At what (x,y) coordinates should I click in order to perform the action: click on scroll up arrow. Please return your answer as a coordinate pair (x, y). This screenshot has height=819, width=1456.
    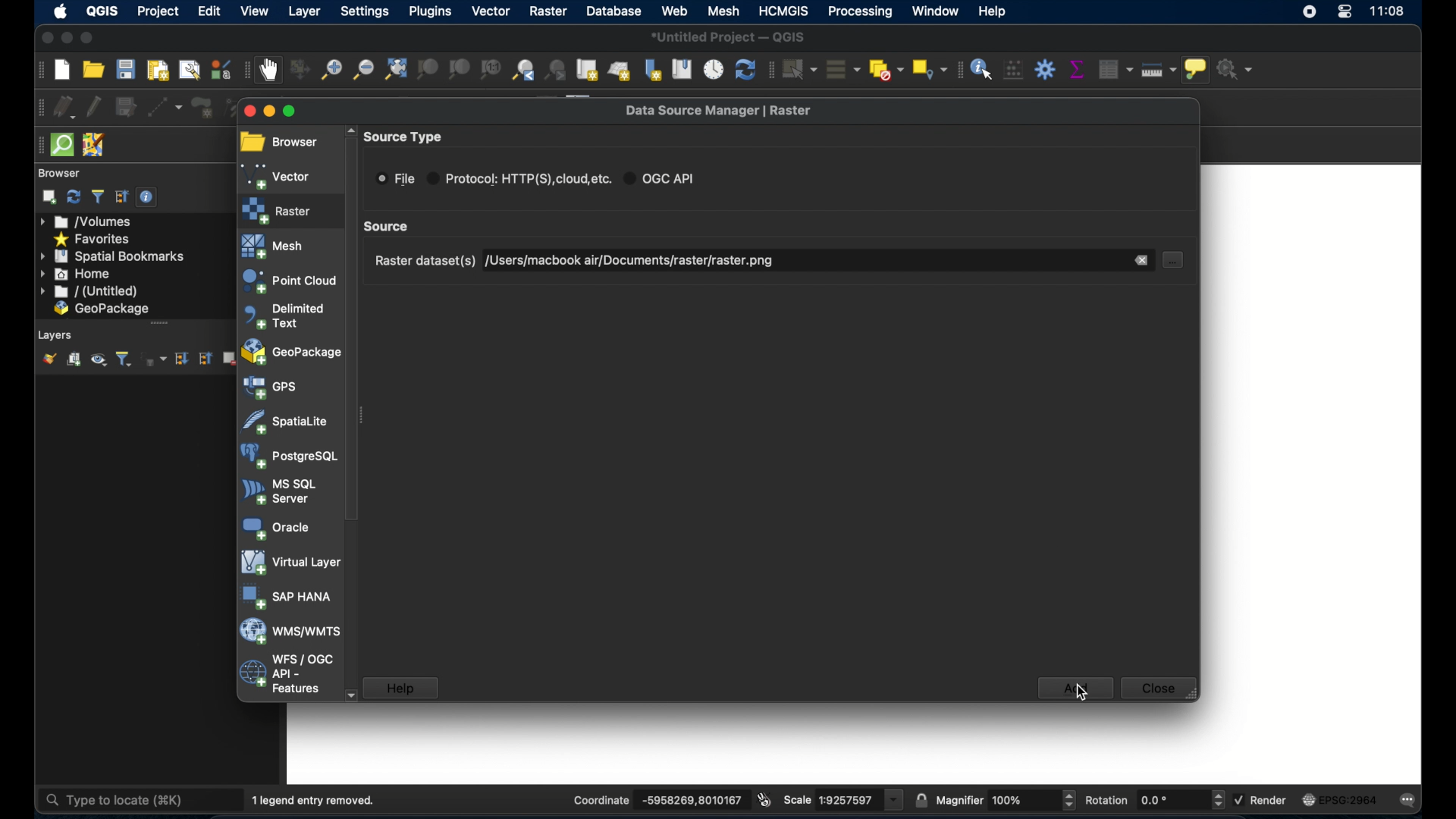
    Looking at the image, I should click on (351, 130).